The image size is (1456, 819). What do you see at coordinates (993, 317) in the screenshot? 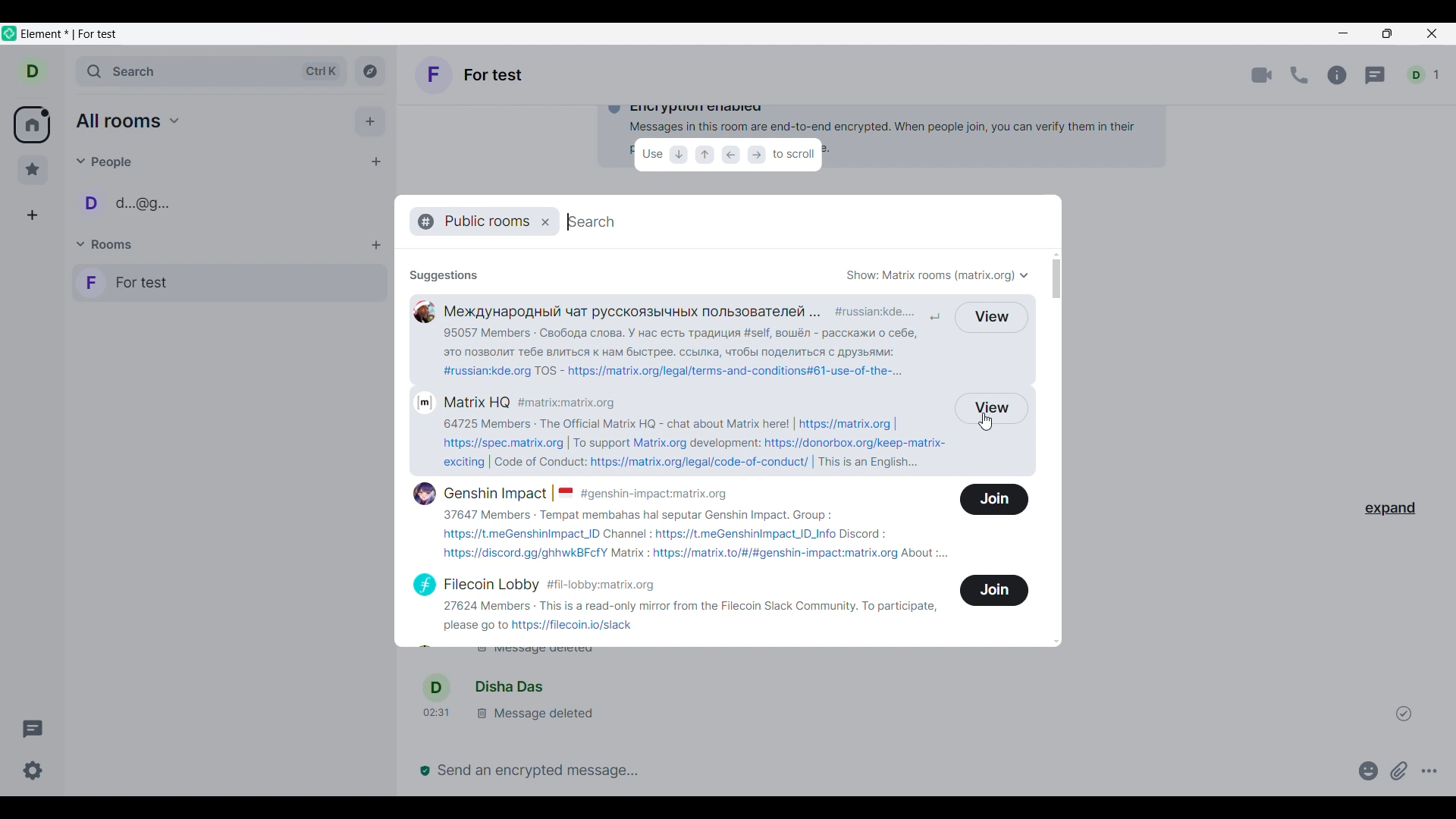
I see `View` at bounding box center [993, 317].